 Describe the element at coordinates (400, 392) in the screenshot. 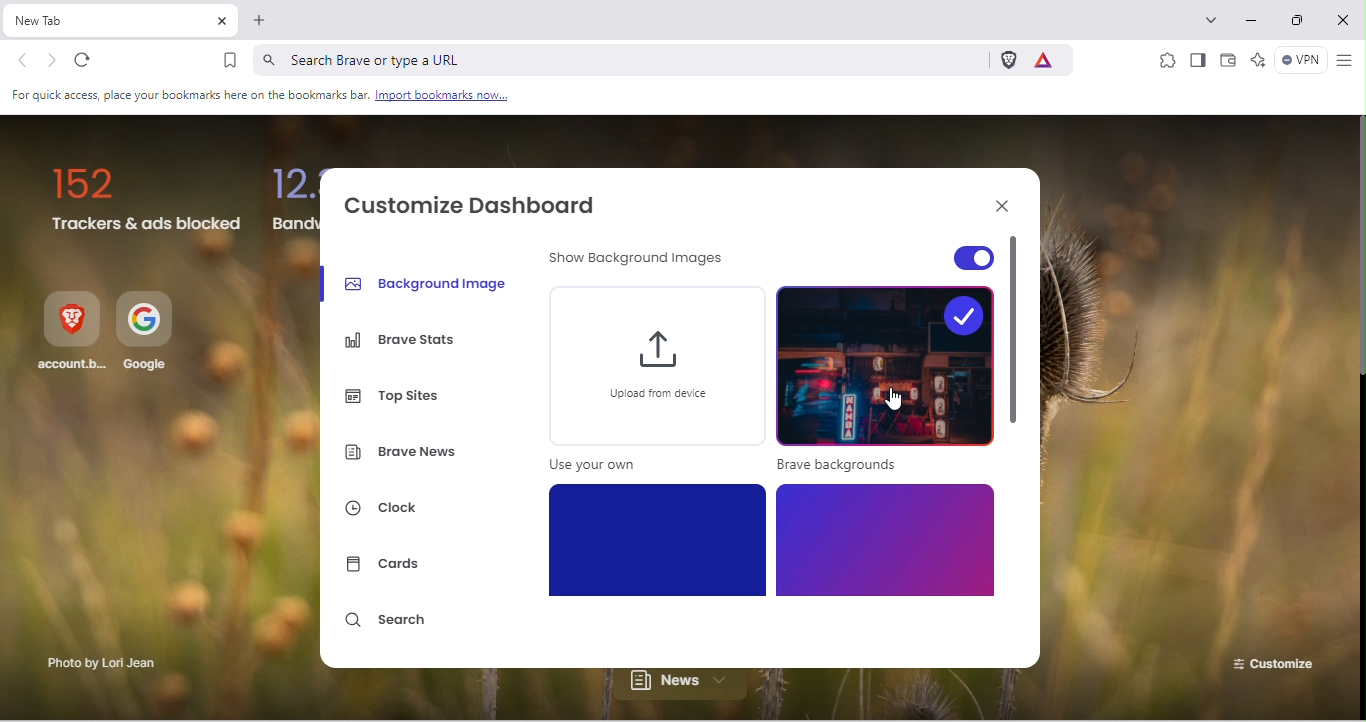

I see `Top sites` at that location.